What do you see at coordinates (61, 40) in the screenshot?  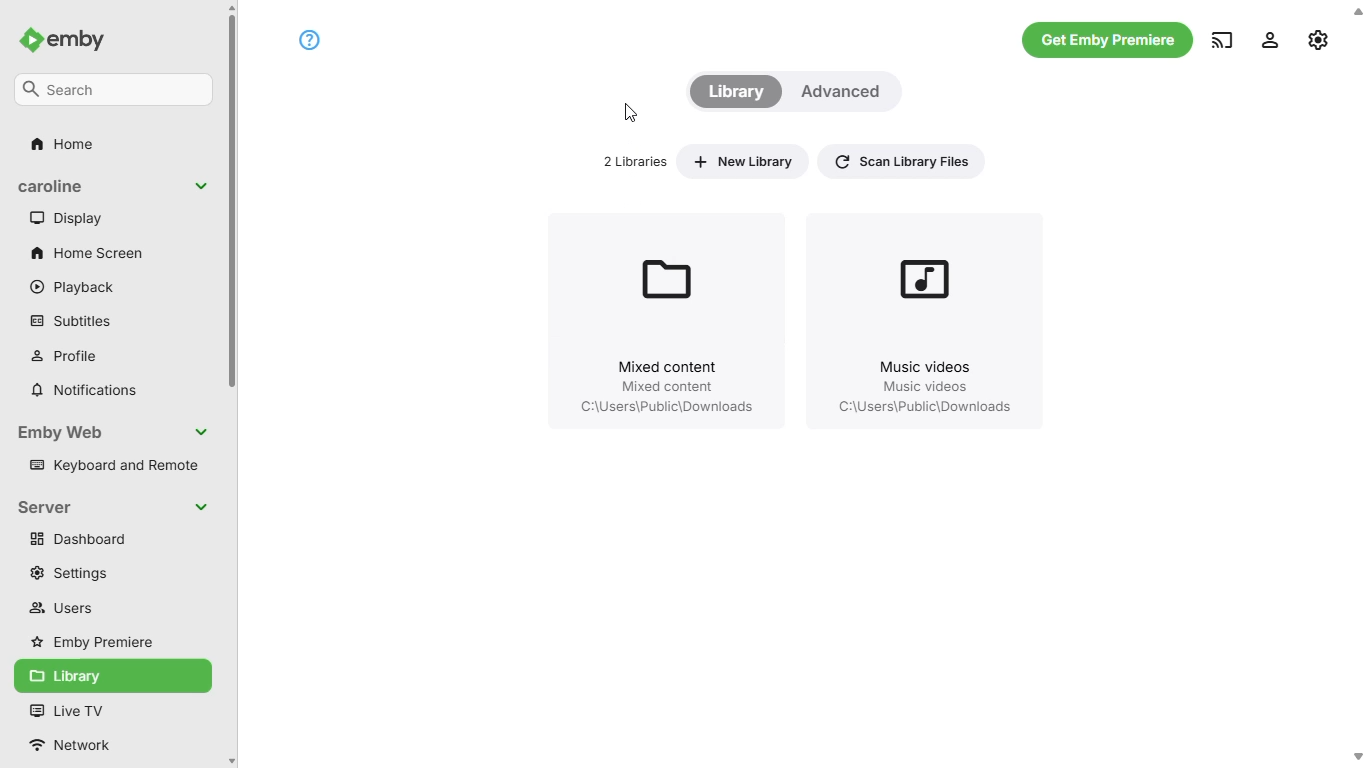 I see `emby` at bounding box center [61, 40].